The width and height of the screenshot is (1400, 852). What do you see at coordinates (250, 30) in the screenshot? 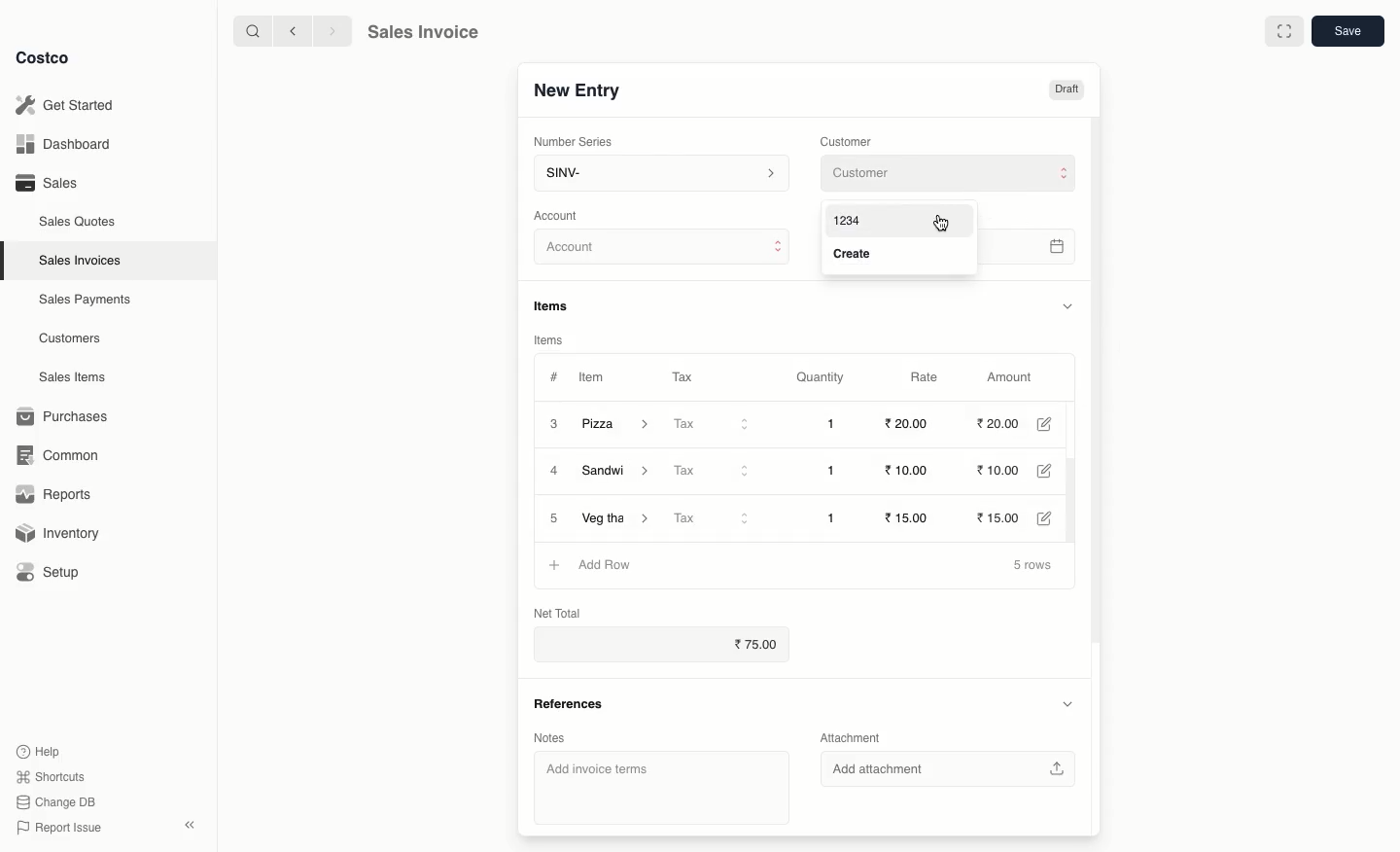
I see `Search` at bounding box center [250, 30].